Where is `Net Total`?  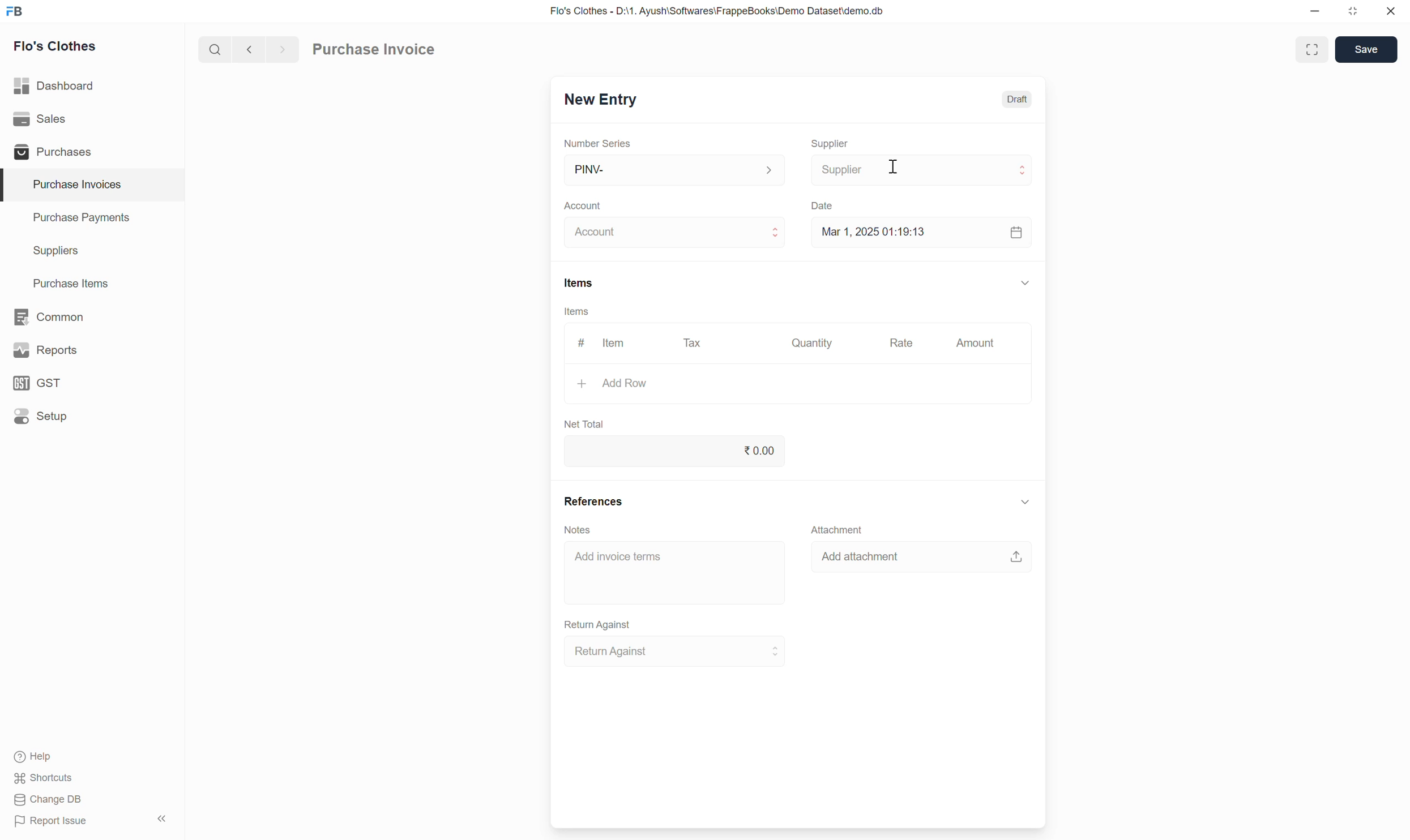 Net Total is located at coordinates (583, 422).